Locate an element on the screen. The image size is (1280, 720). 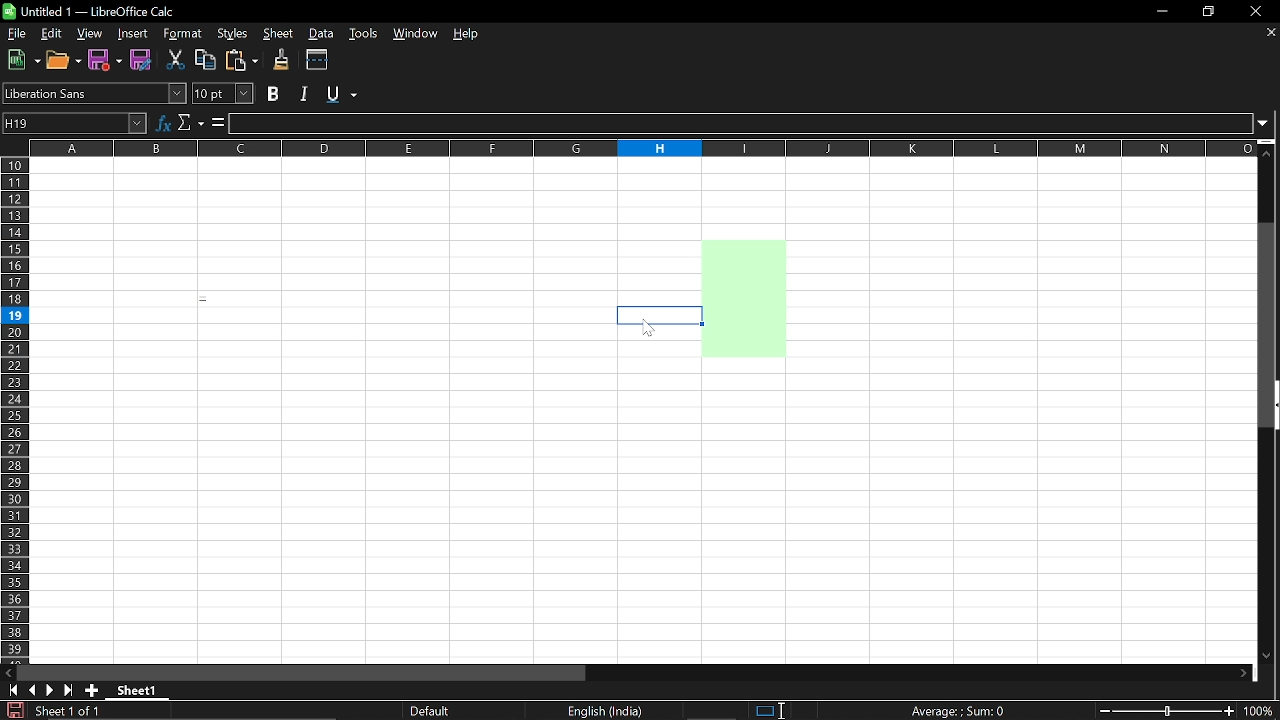
Cell style added to multiple cells is located at coordinates (742, 307).